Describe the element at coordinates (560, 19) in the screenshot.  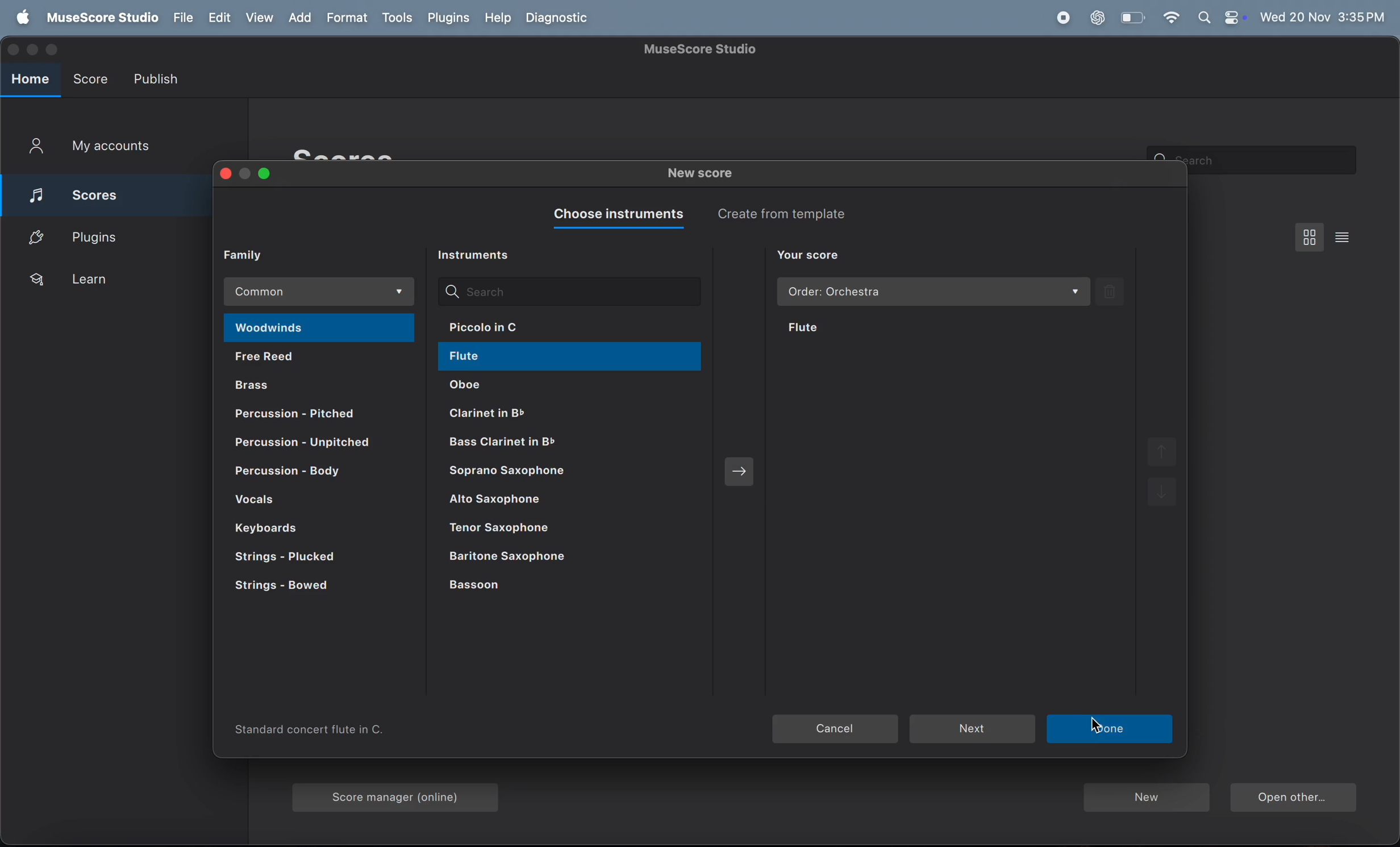
I see `diagnostics` at that location.